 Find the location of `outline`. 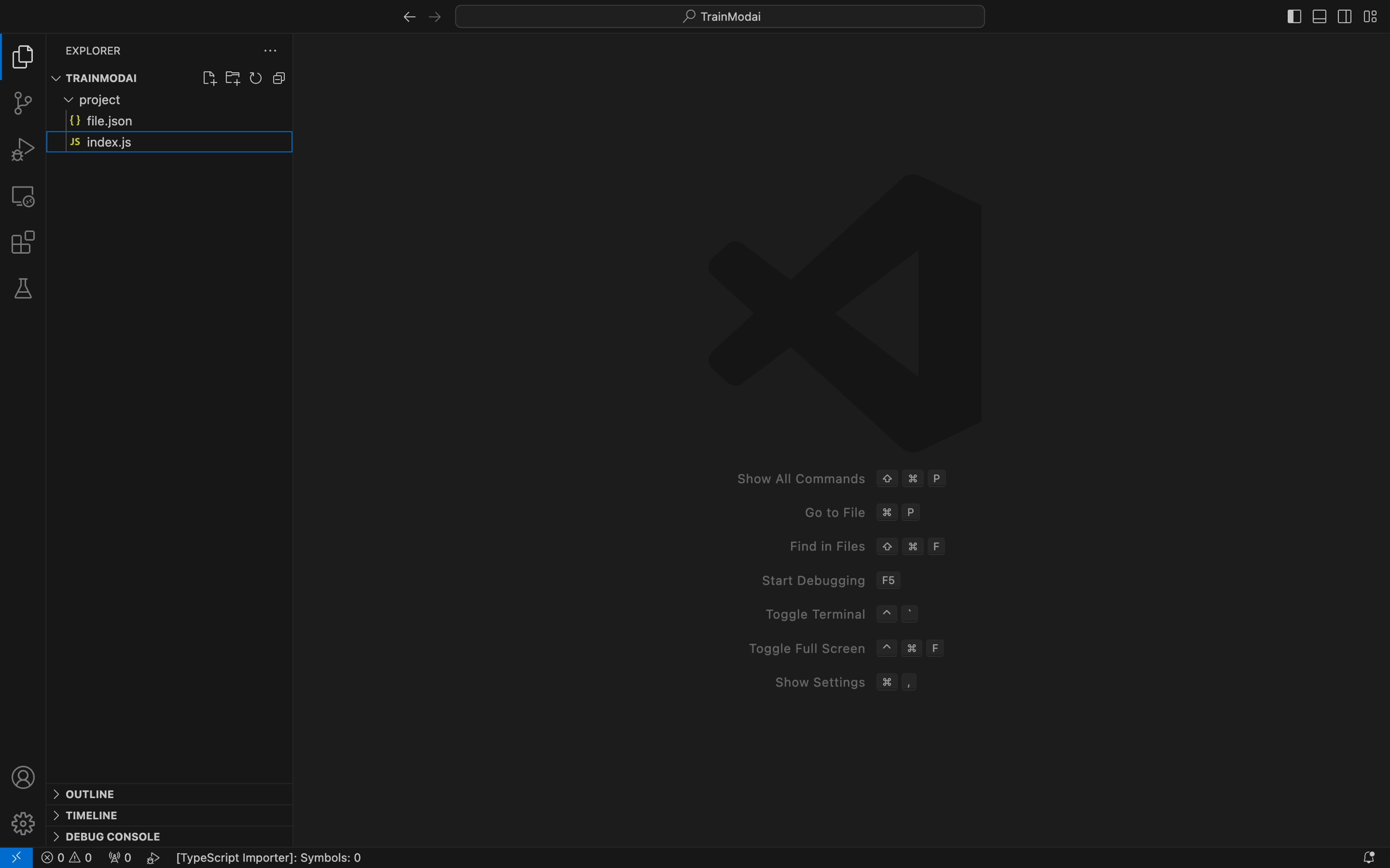

outline is located at coordinates (94, 794).